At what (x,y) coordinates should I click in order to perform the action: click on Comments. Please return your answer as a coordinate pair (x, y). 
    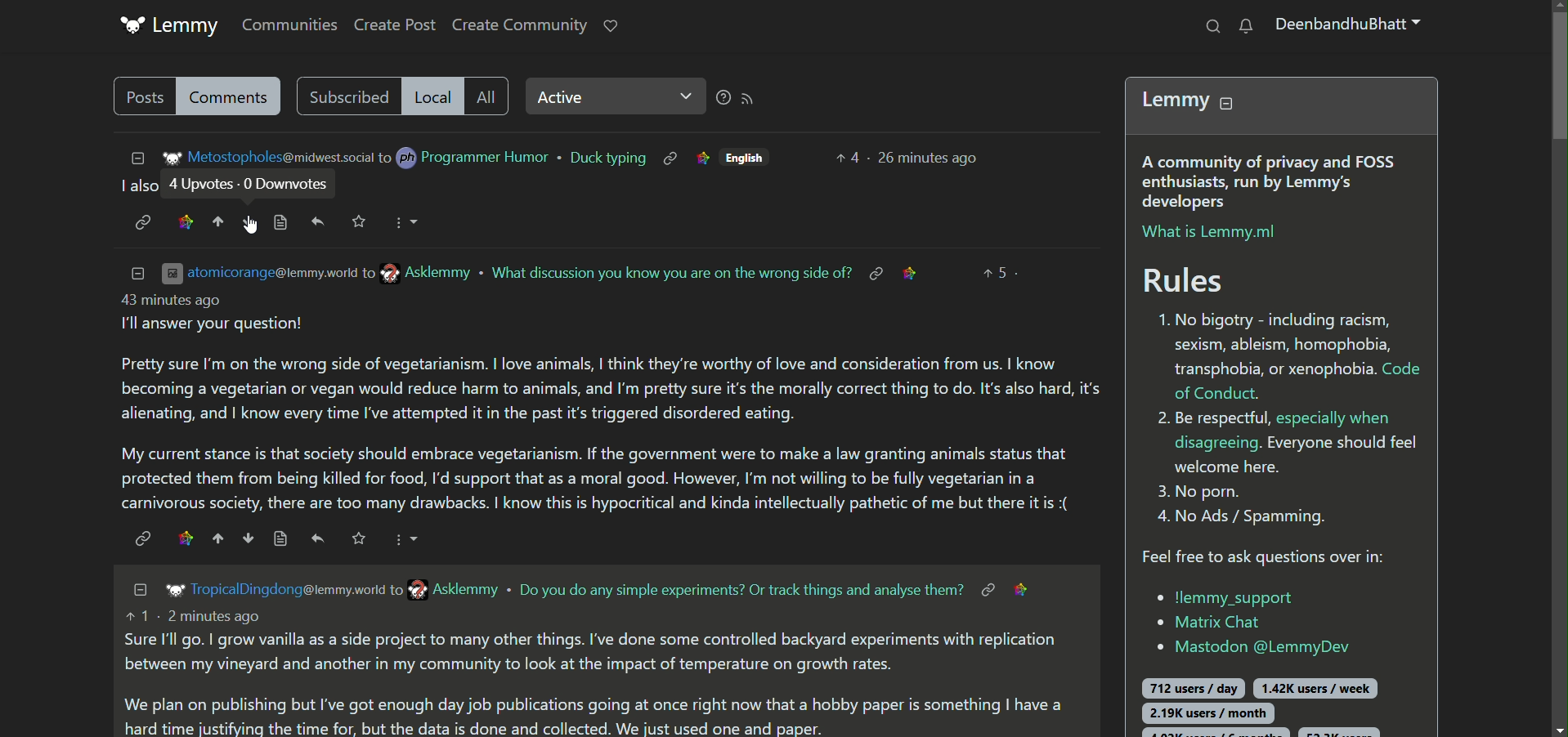
    Looking at the image, I should click on (233, 96).